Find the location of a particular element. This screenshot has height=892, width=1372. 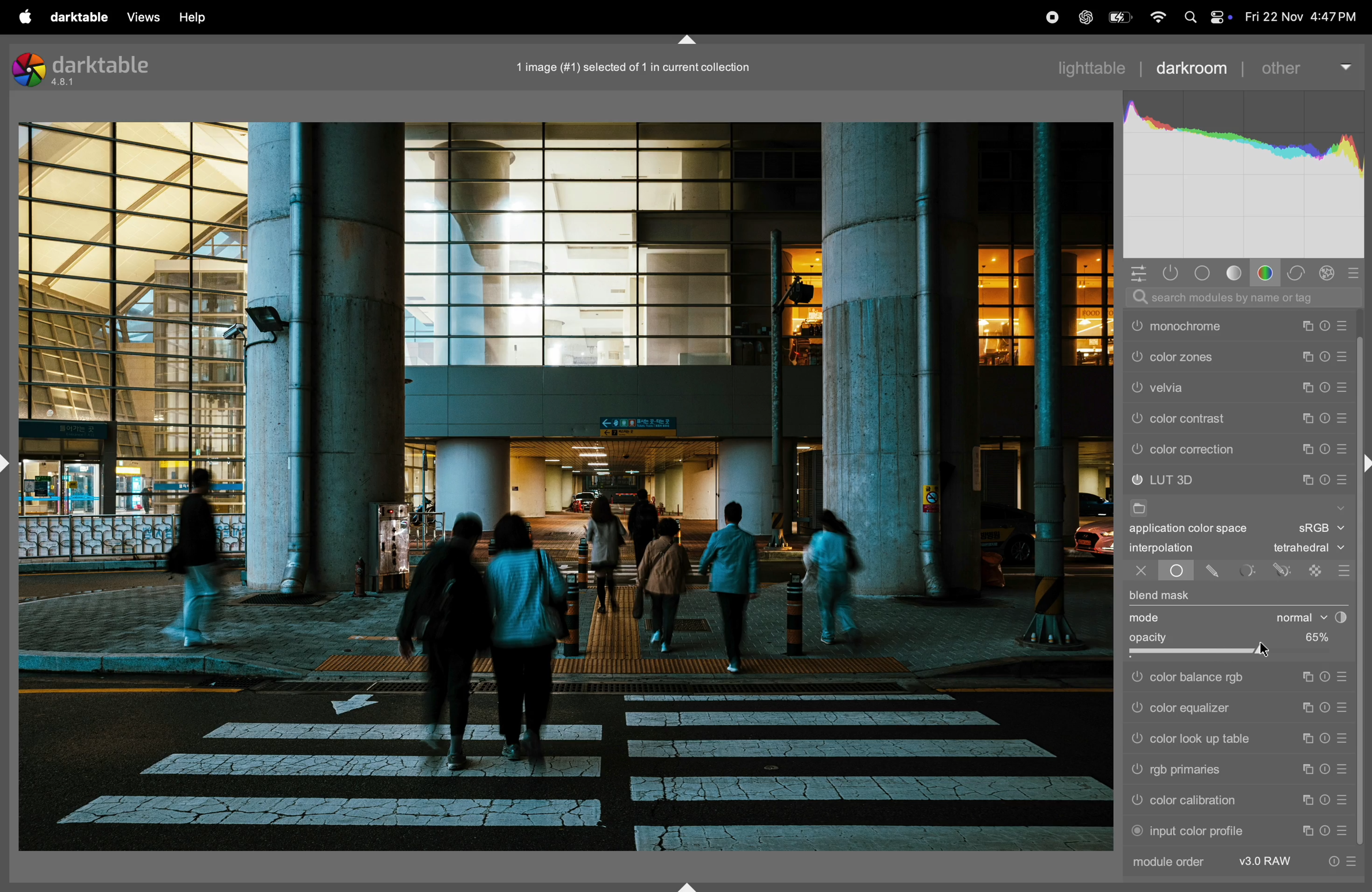

color correction is located at coordinates (1220, 449).